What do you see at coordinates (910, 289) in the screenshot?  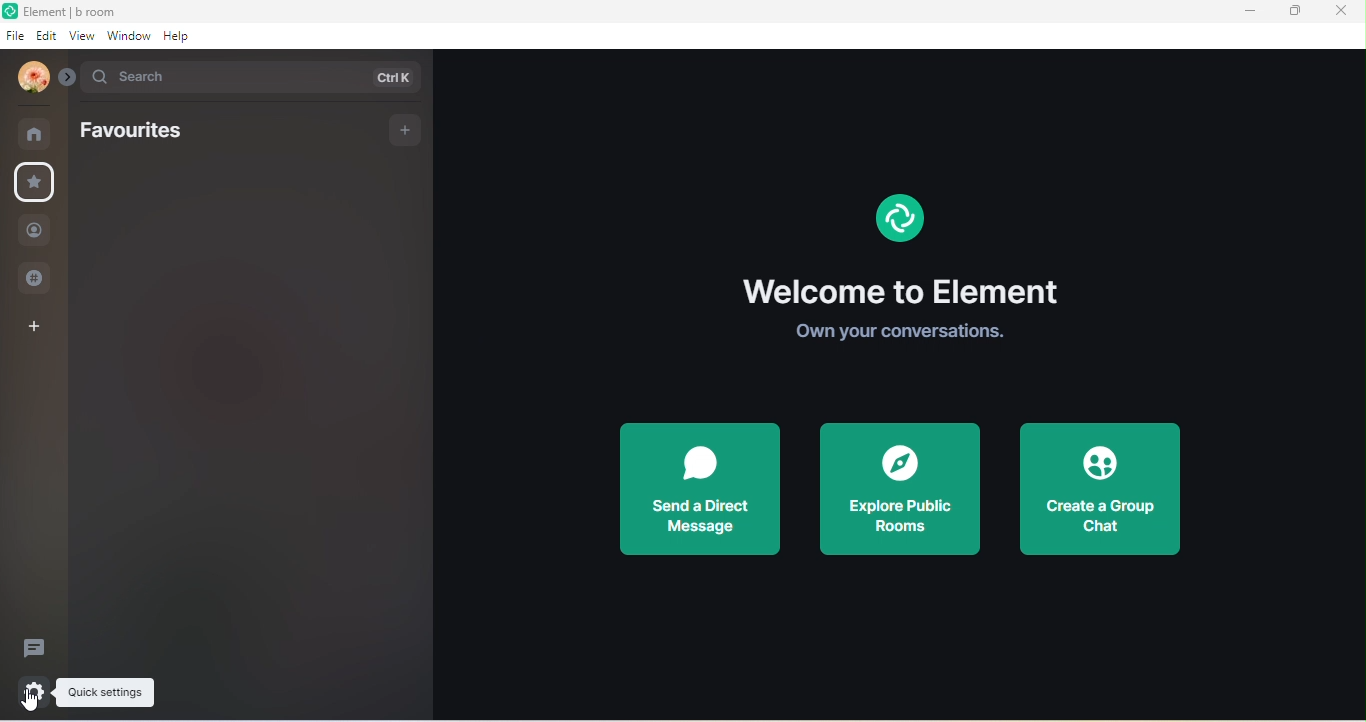 I see `welcome to element` at bounding box center [910, 289].